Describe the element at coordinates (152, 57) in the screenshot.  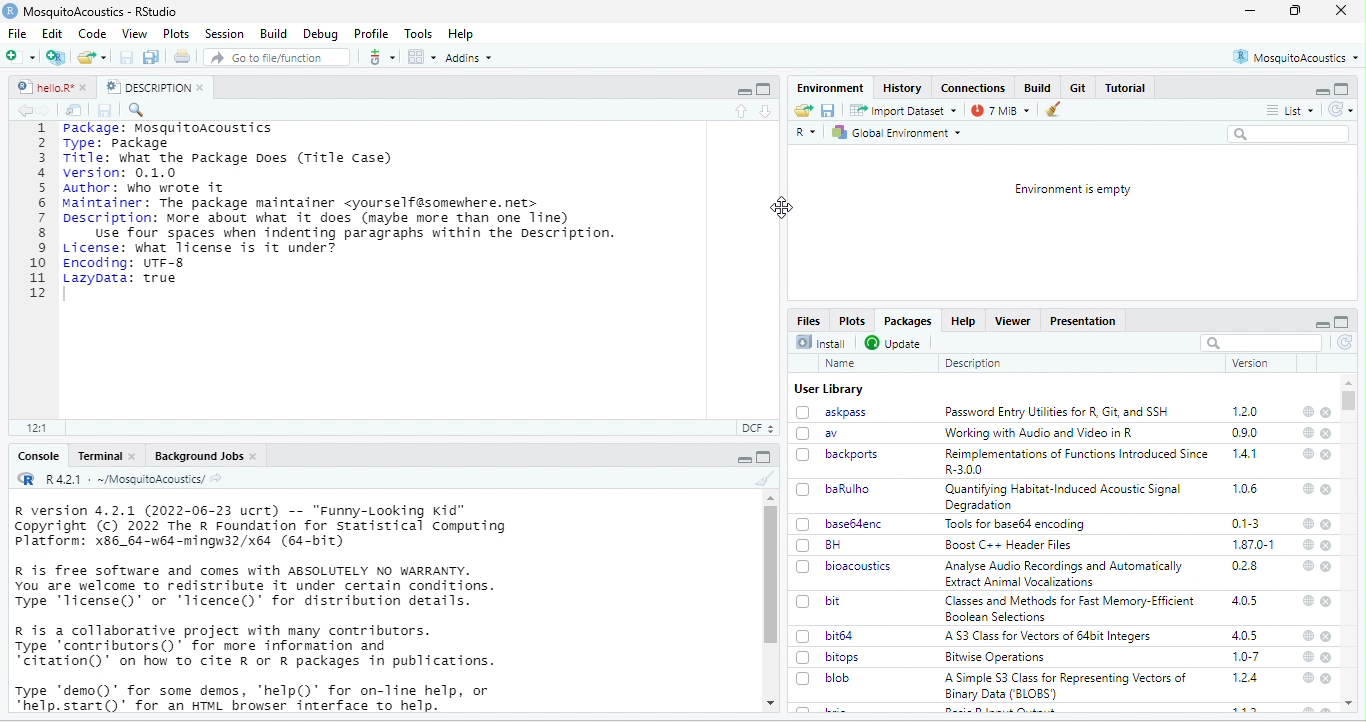
I see `save all open documents` at that location.